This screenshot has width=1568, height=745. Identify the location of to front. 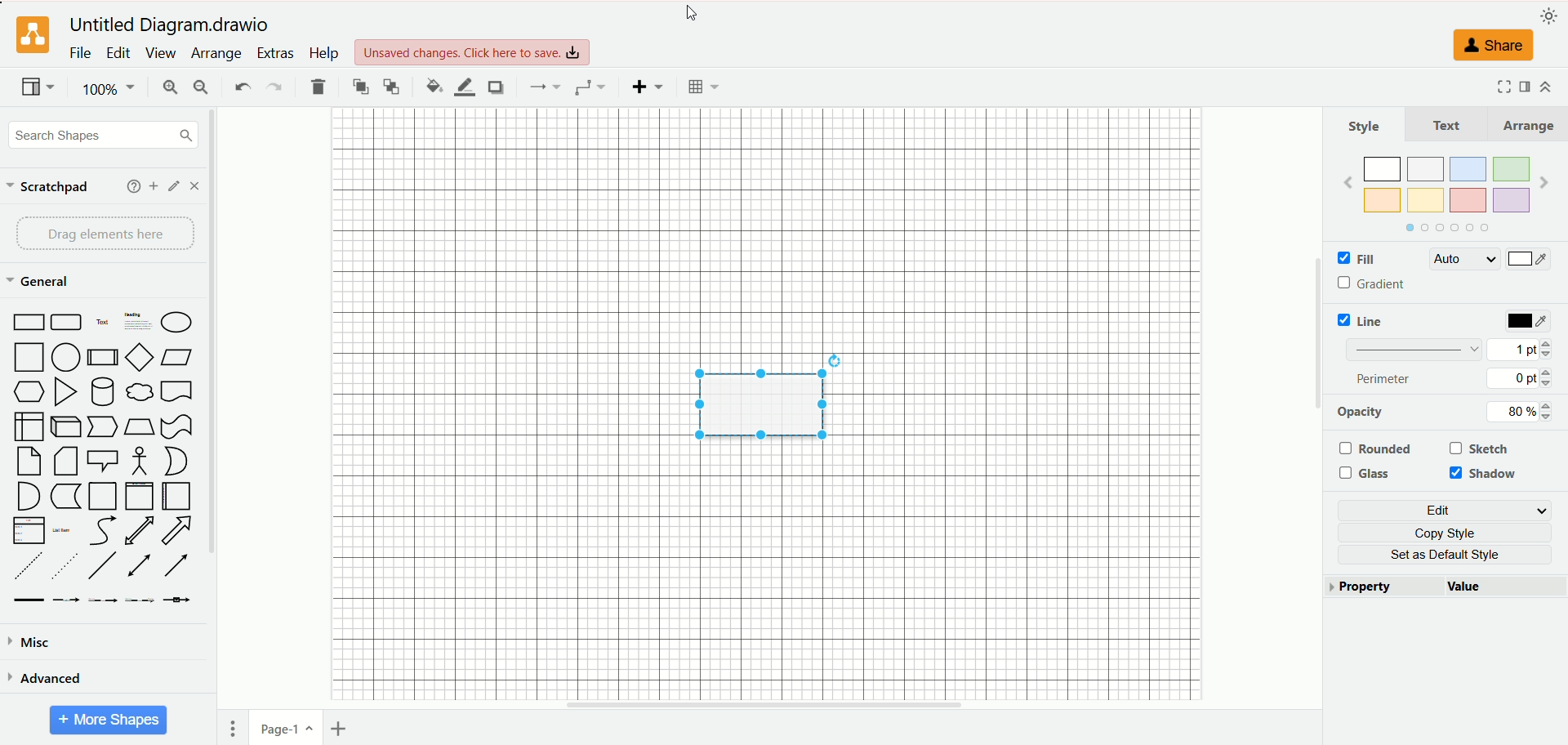
(362, 86).